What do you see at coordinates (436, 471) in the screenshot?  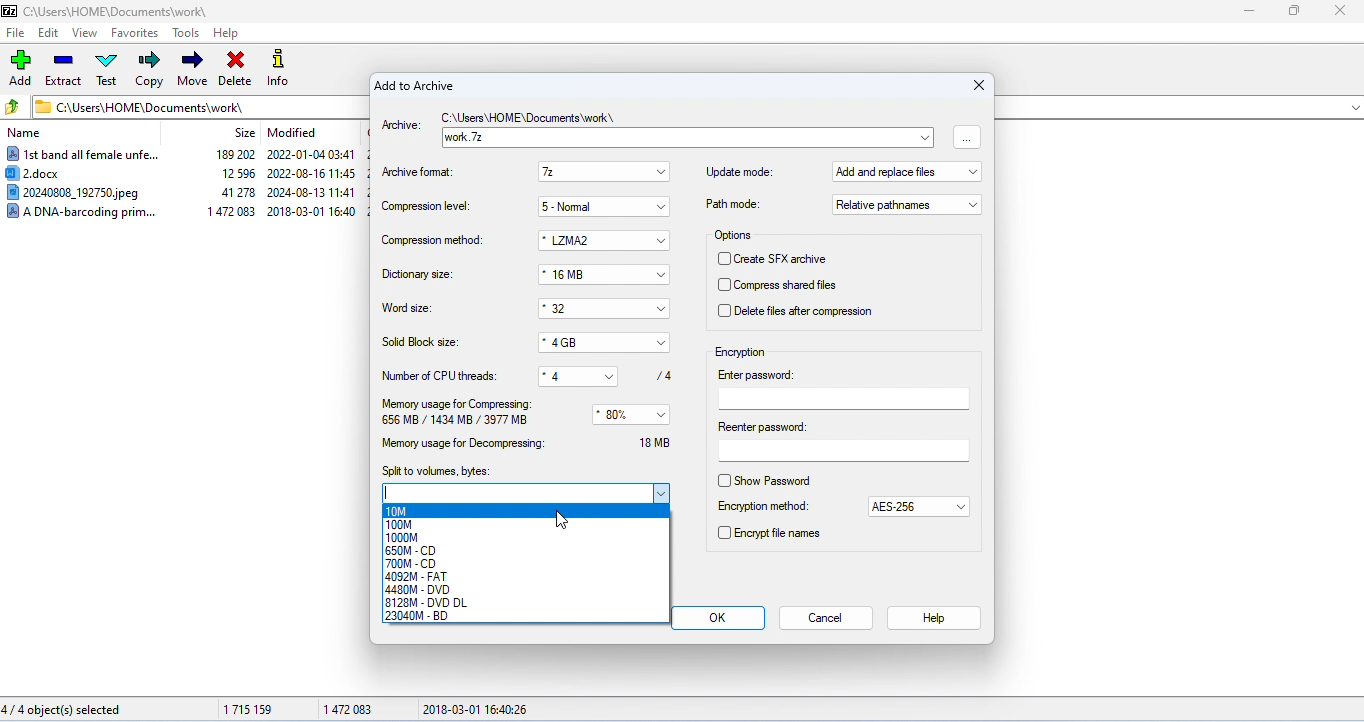 I see `split to volumes. bytes: ` at bounding box center [436, 471].